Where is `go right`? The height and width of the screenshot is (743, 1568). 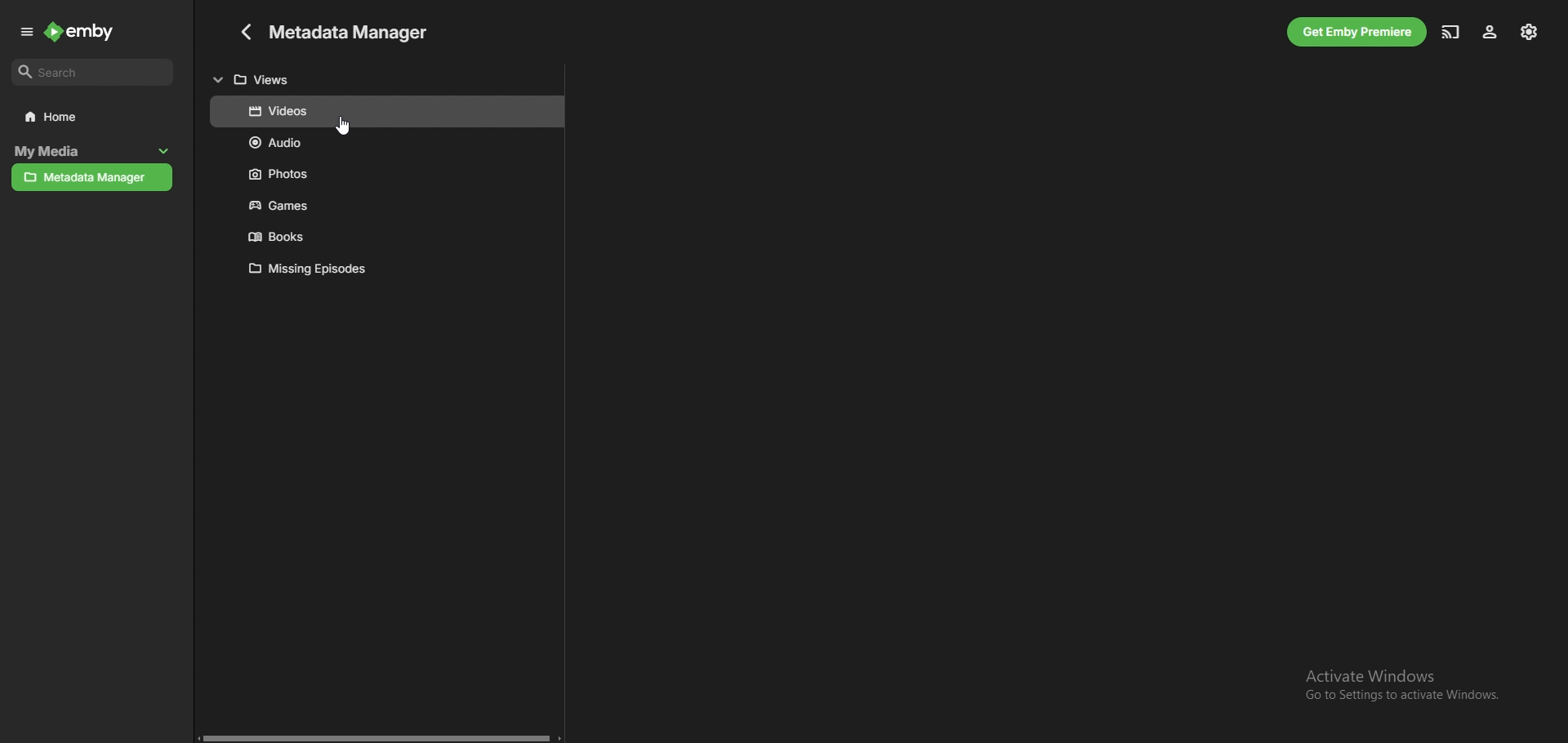 go right is located at coordinates (559, 737).